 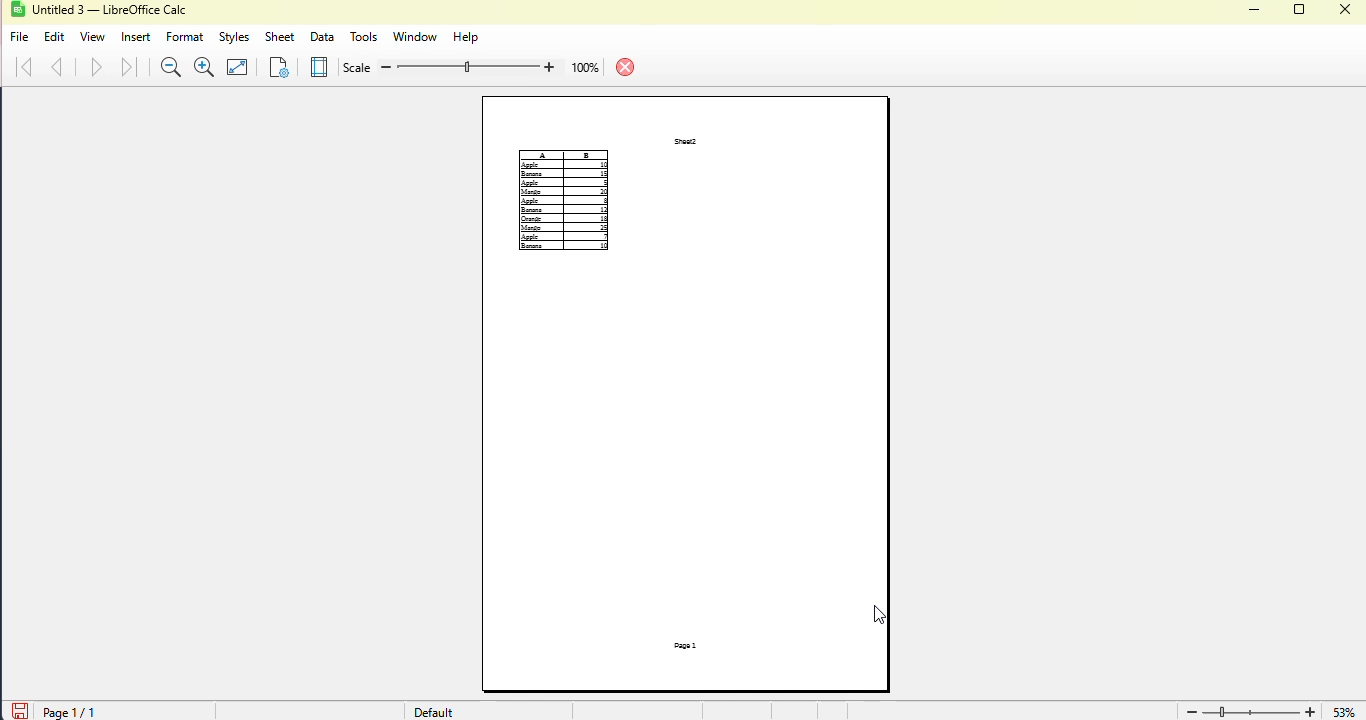 I want to click on window, so click(x=414, y=37).